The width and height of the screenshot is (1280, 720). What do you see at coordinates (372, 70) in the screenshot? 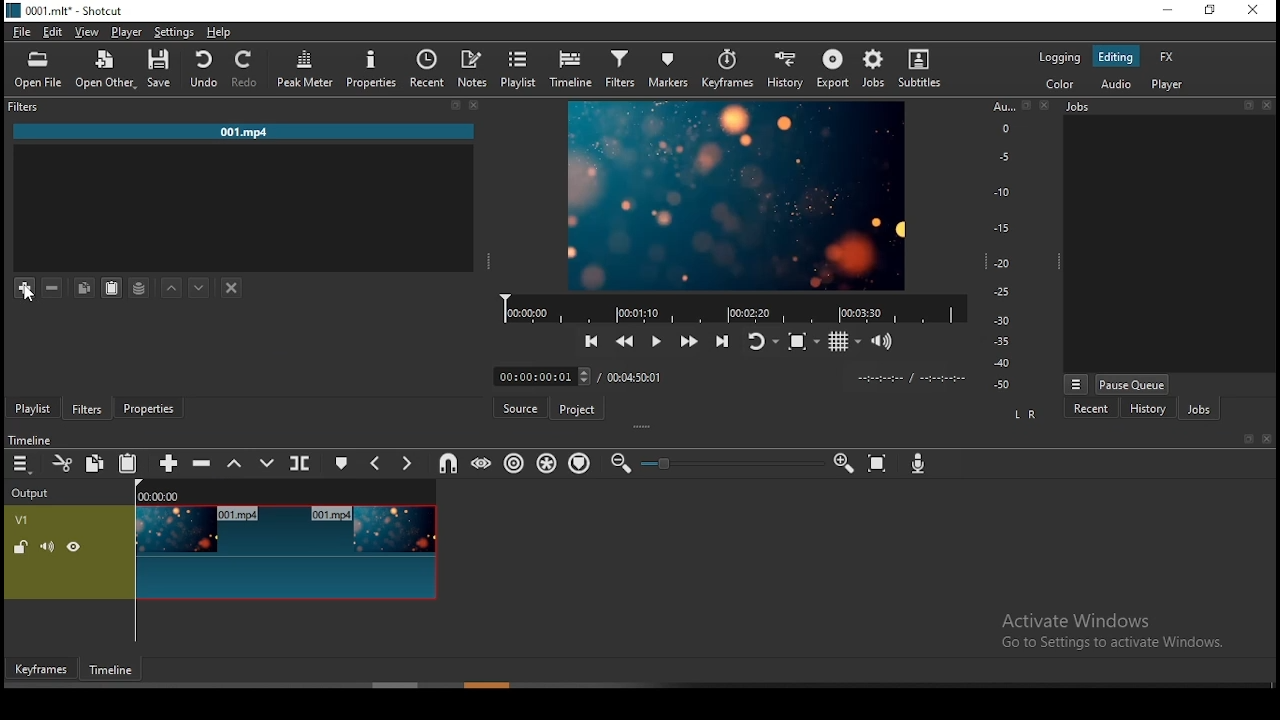
I see `properties` at bounding box center [372, 70].